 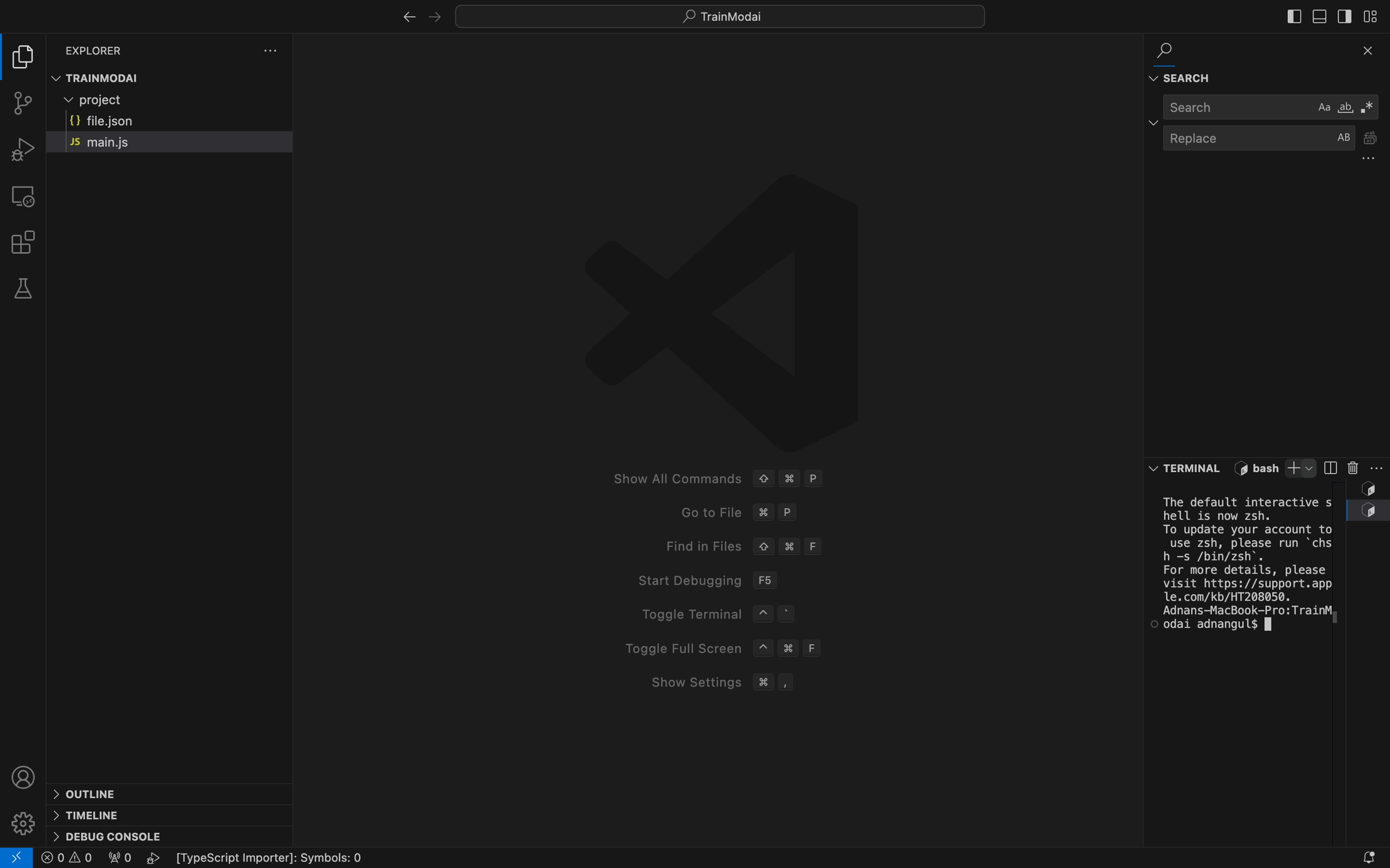 I want to click on trainmodai, so click(x=177, y=77).